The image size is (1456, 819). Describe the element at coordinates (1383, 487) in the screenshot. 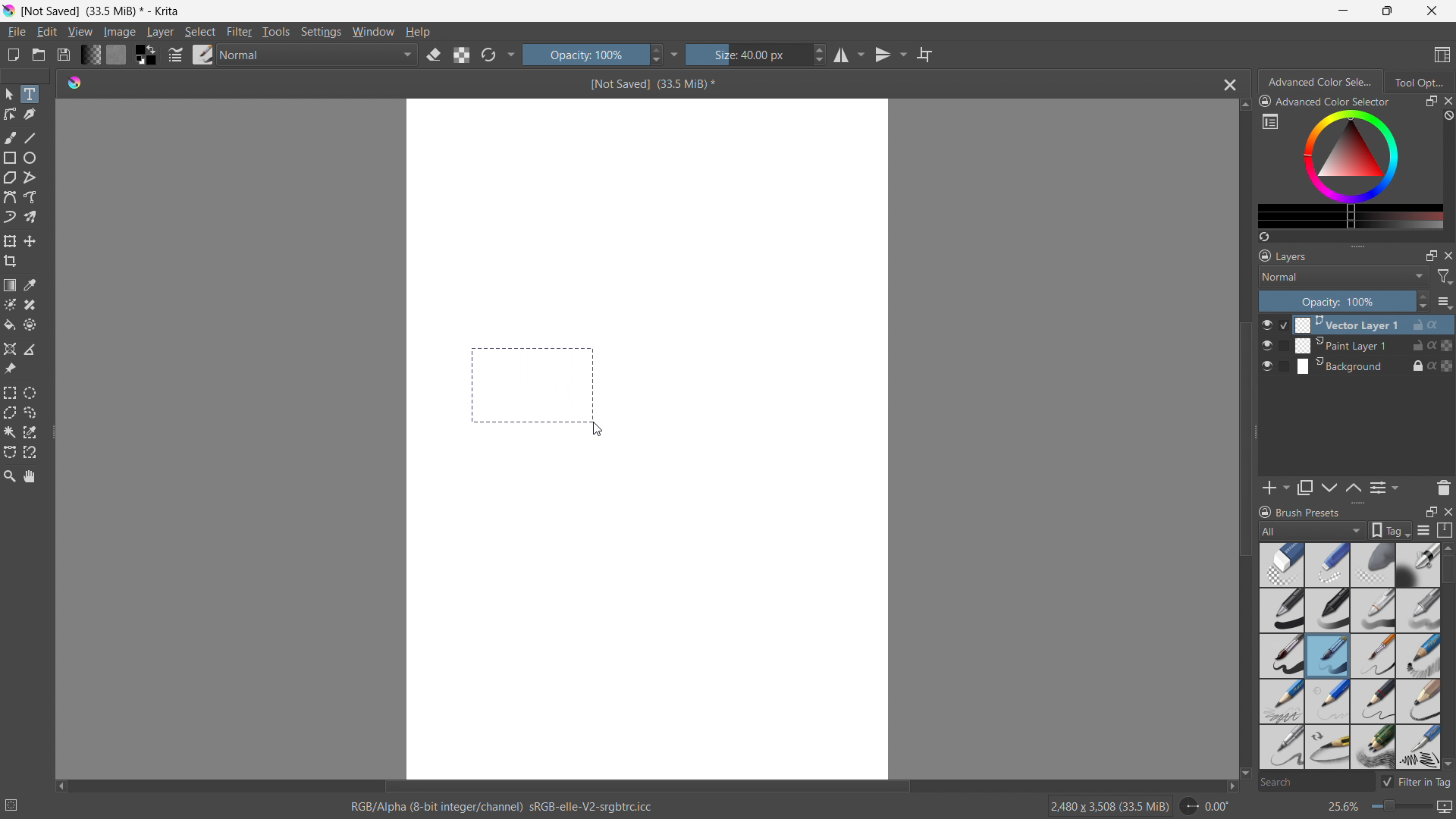

I see `view/change layer properties` at that location.